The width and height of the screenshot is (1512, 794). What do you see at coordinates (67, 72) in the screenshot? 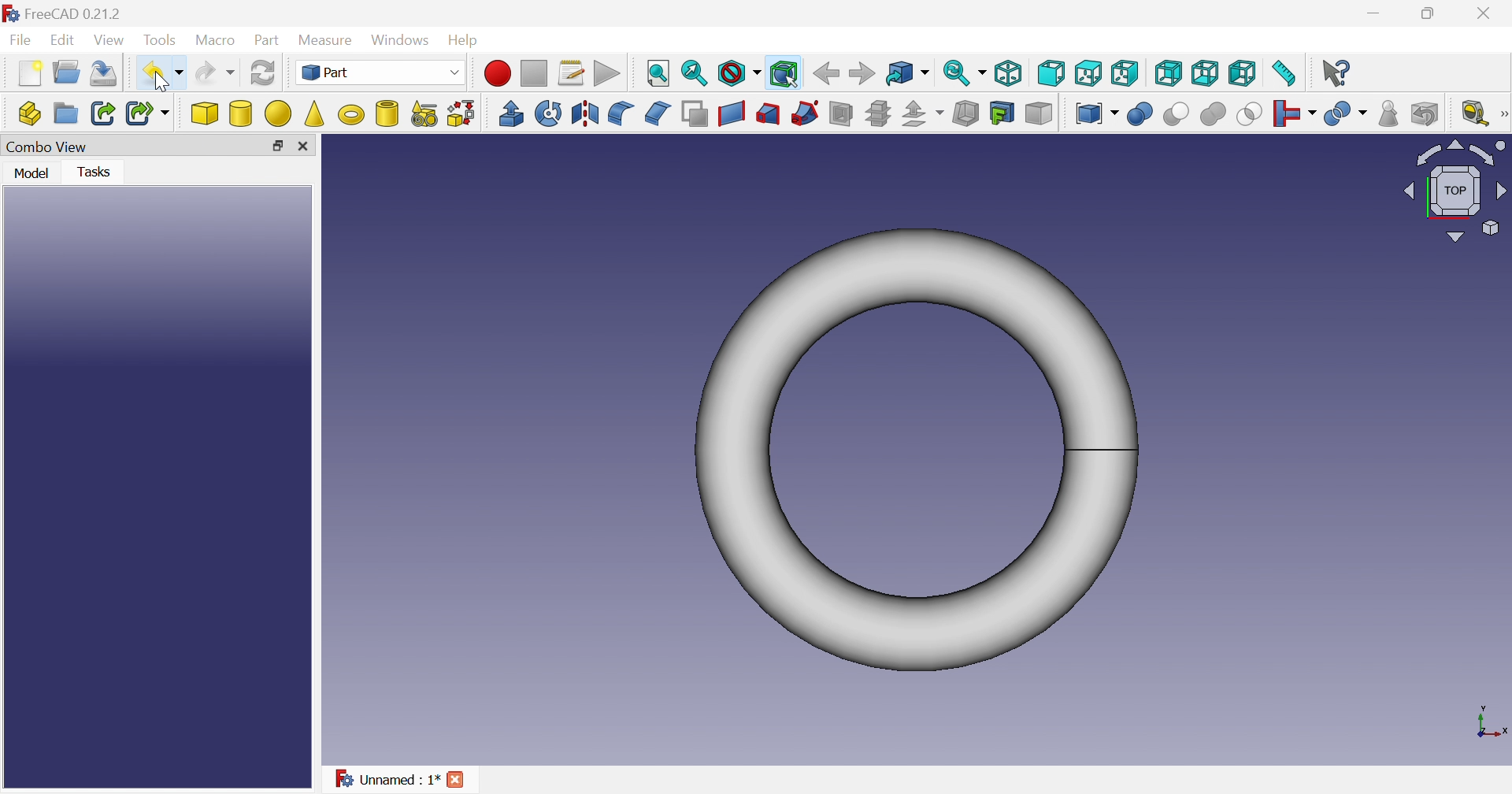
I see `Open` at bounding box center [67, 72].